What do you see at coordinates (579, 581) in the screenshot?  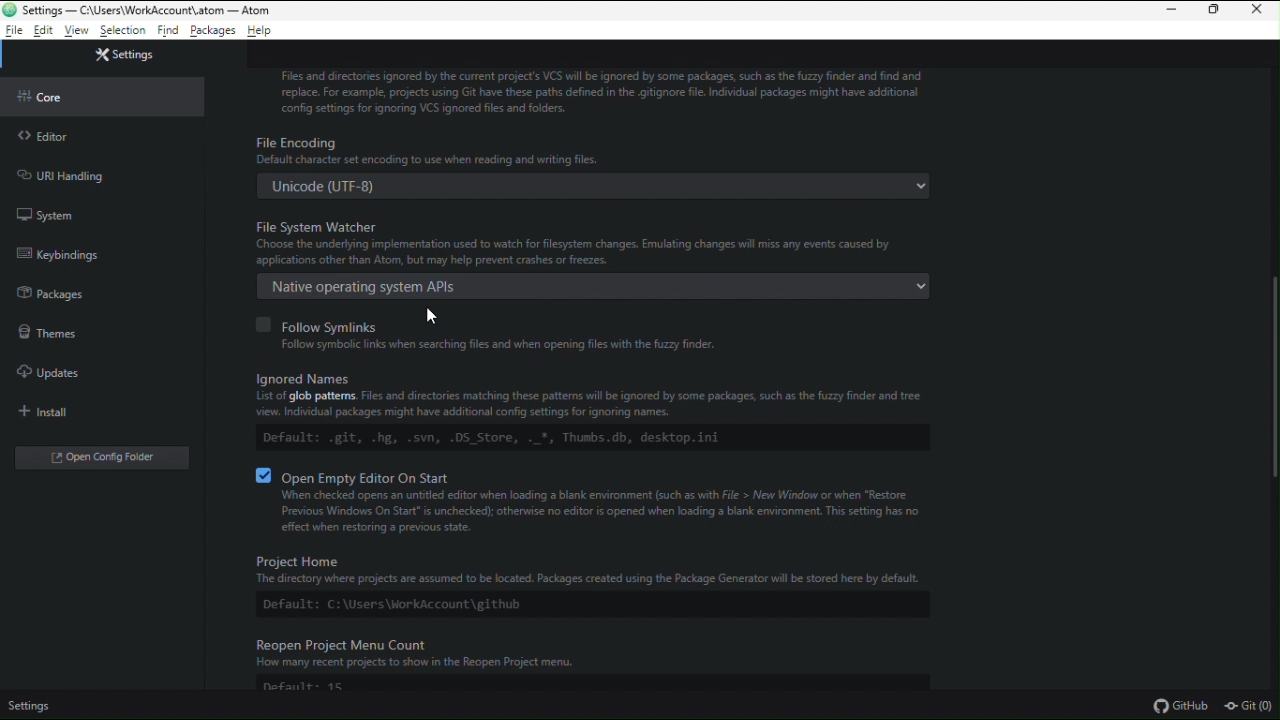 I see `Project home` at bounding box center [579, 581].